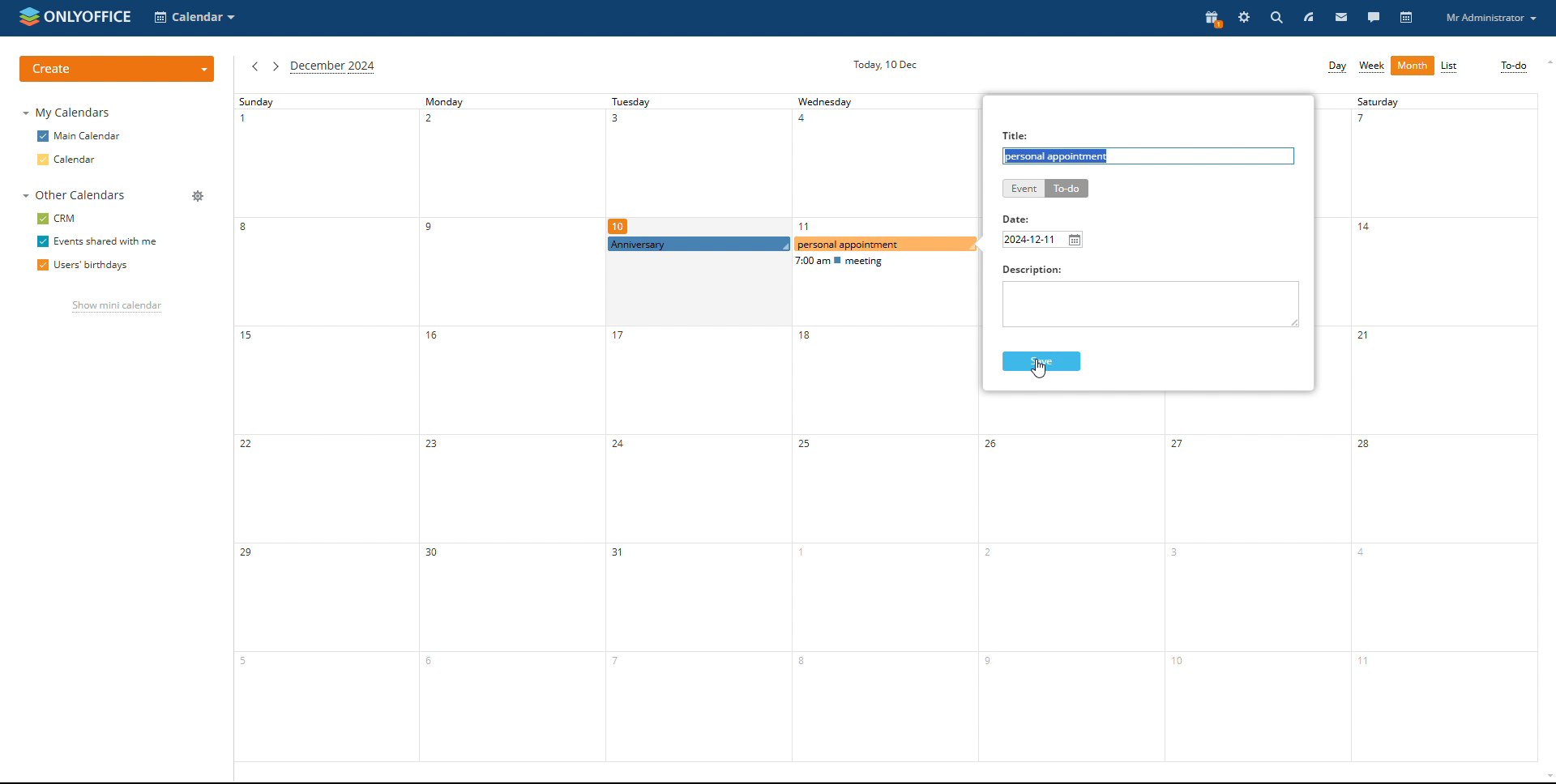  What do you see at coordinates (1413, 66) in the screenshot?
I see `month view` at bounding box center [1413, 66].